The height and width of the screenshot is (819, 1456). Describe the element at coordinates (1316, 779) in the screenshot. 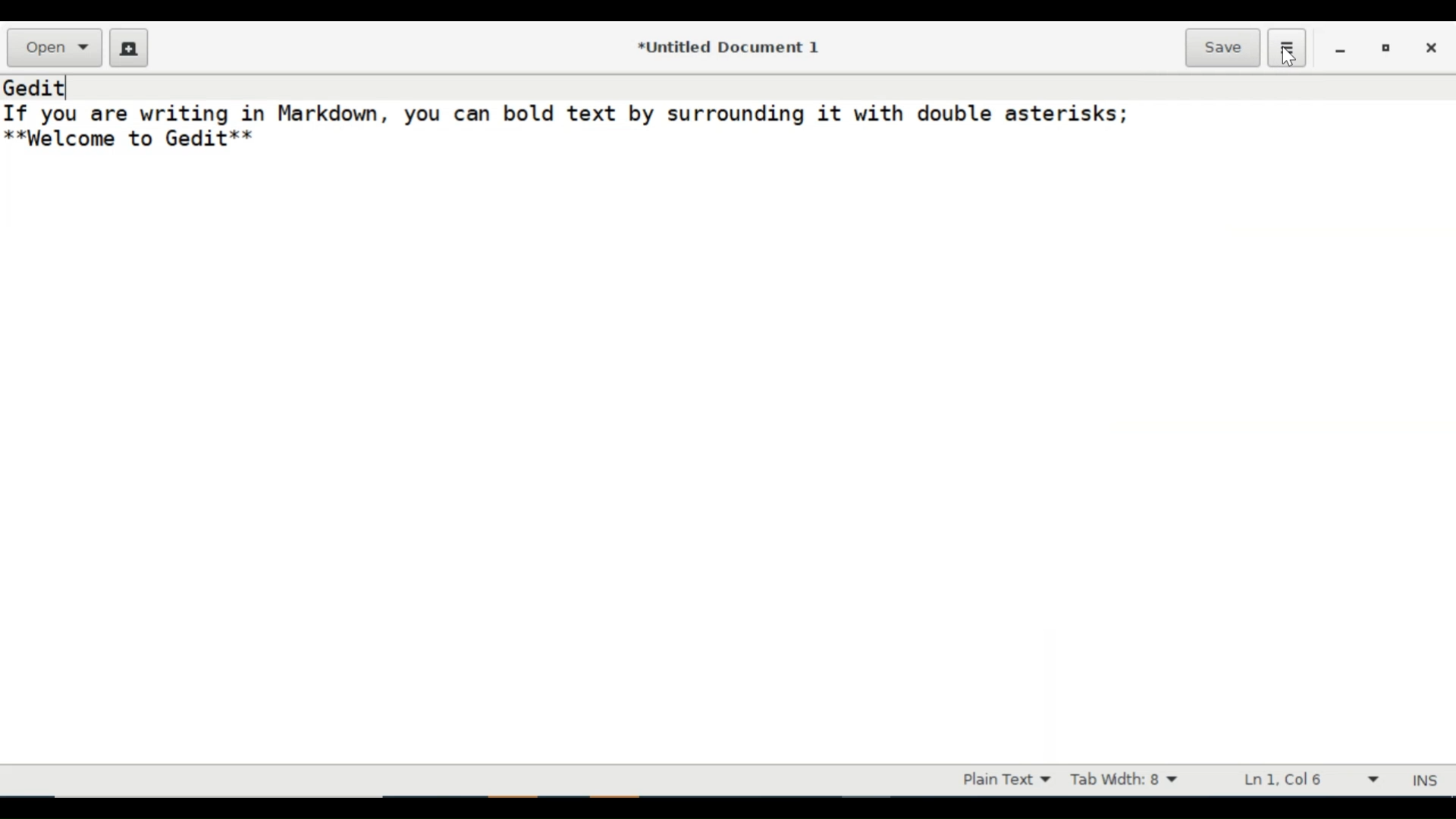

I see `Line & Column Preference` at that location.